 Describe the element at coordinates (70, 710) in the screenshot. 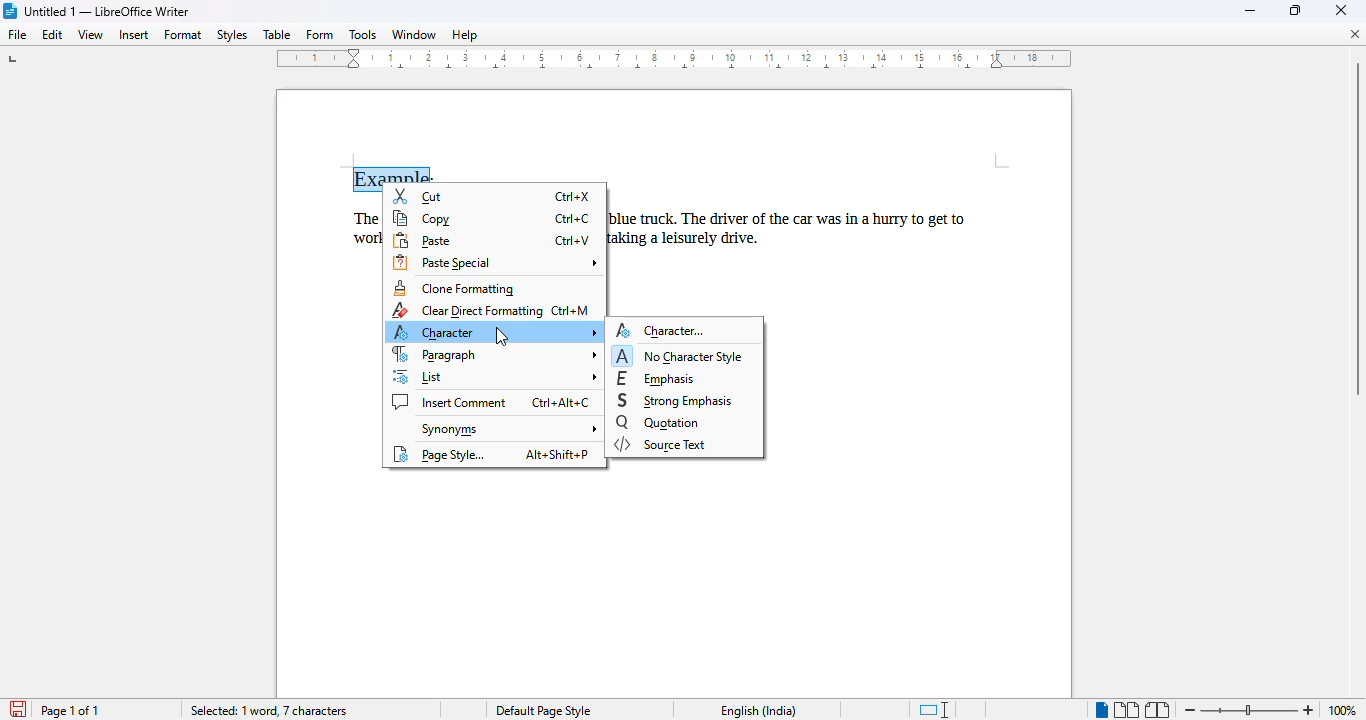

I see `page 1 of 1` at that location.